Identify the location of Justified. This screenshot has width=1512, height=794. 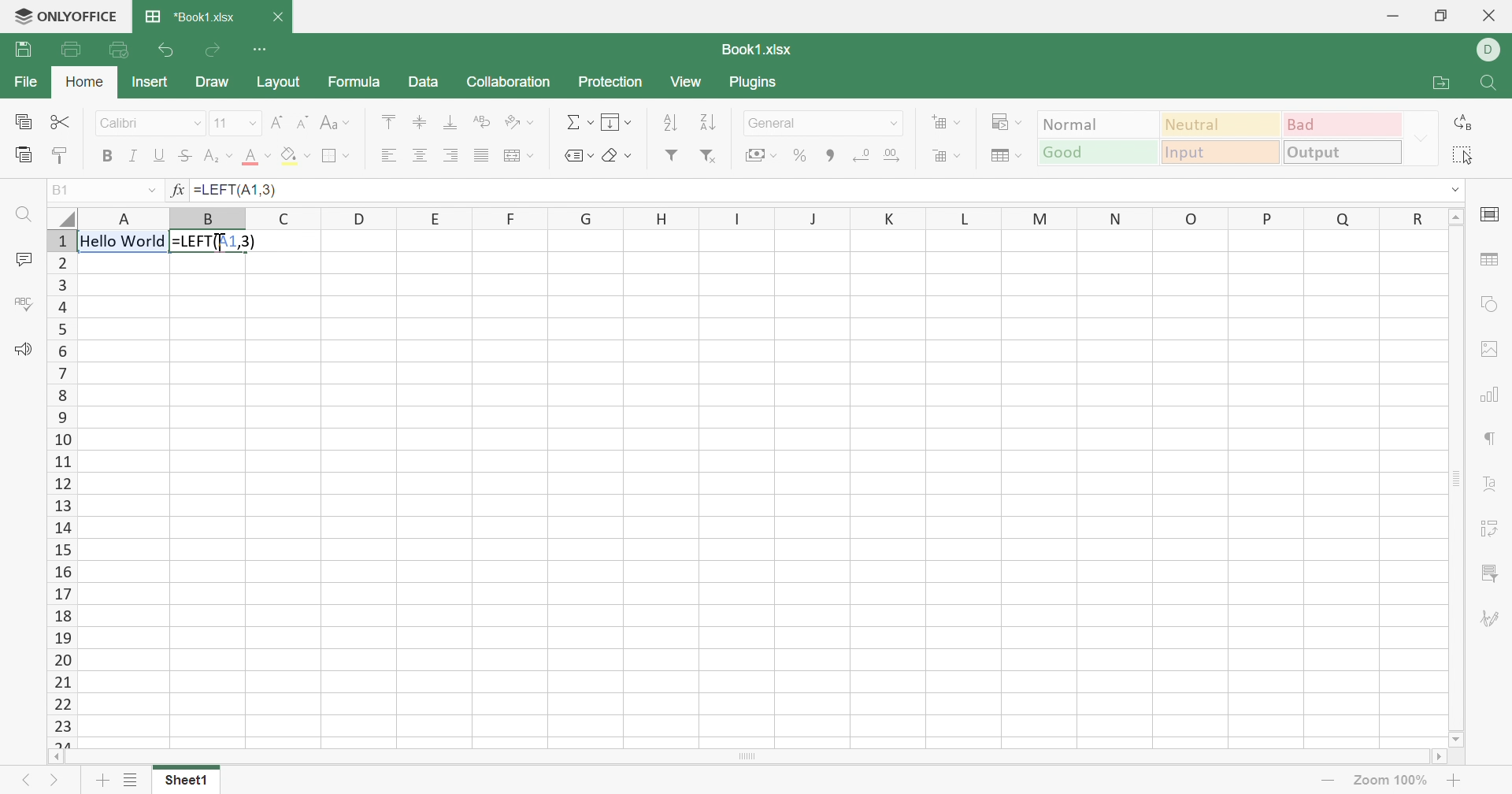
(480, 157).